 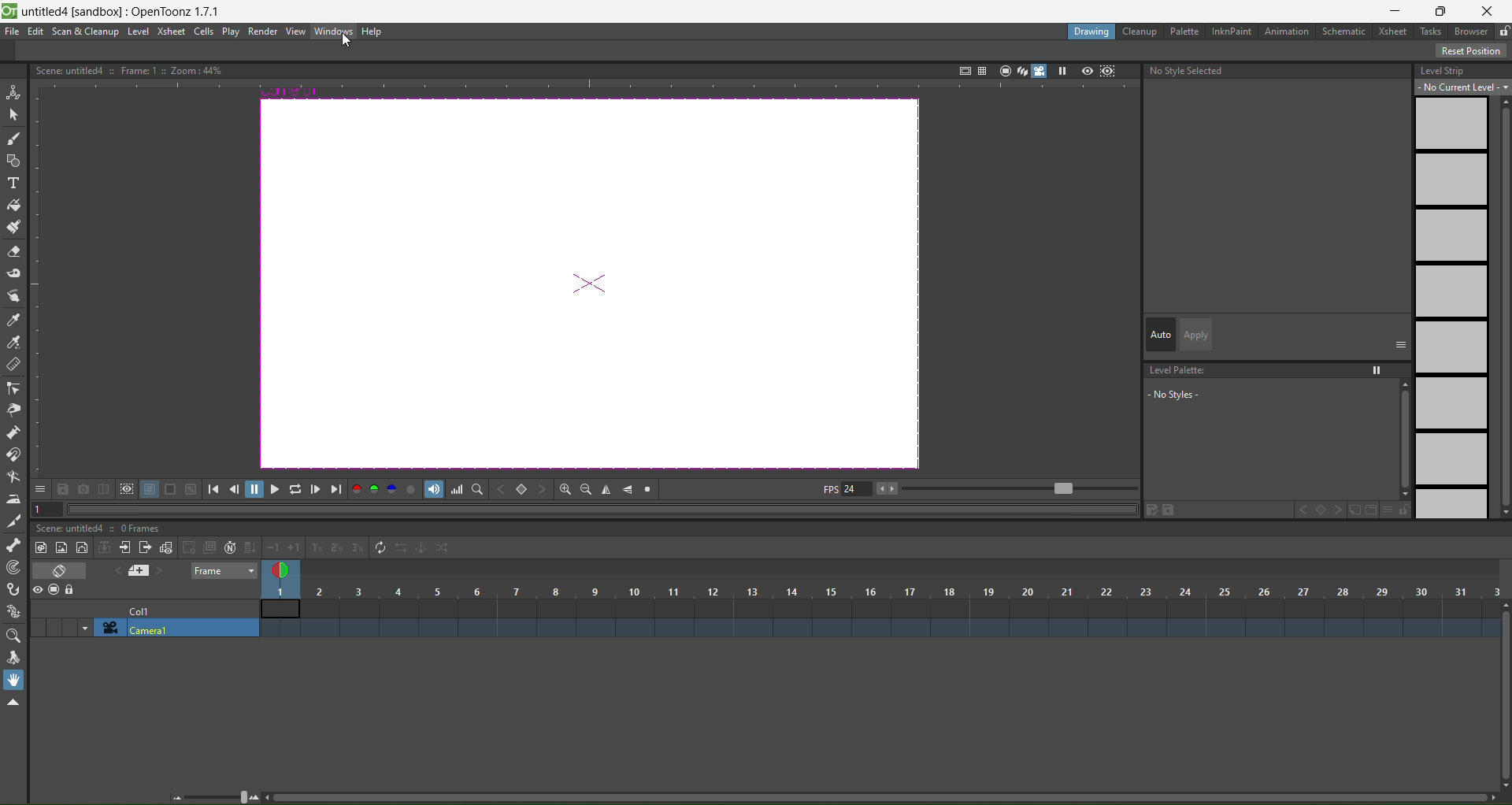 I want to click on level strip, so click(x=1459, y=288).